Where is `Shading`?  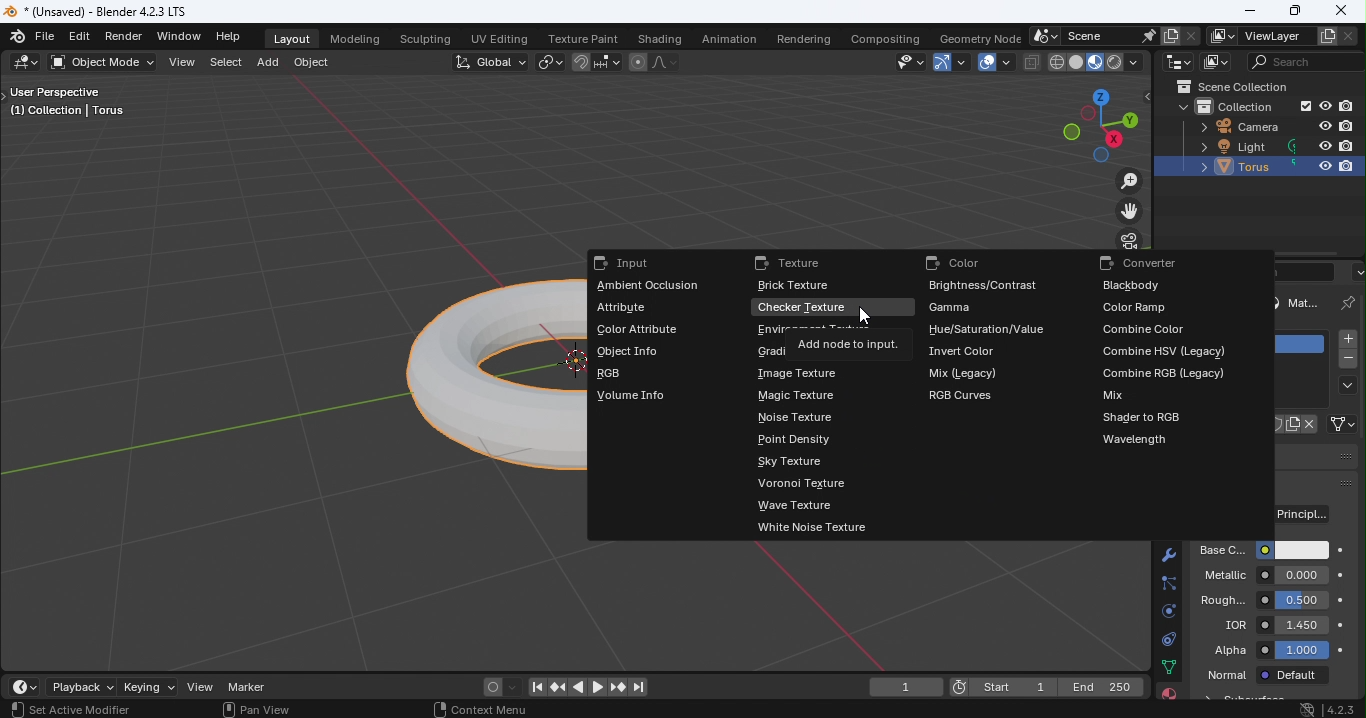
Shading is located at coordinates (1135, 60).